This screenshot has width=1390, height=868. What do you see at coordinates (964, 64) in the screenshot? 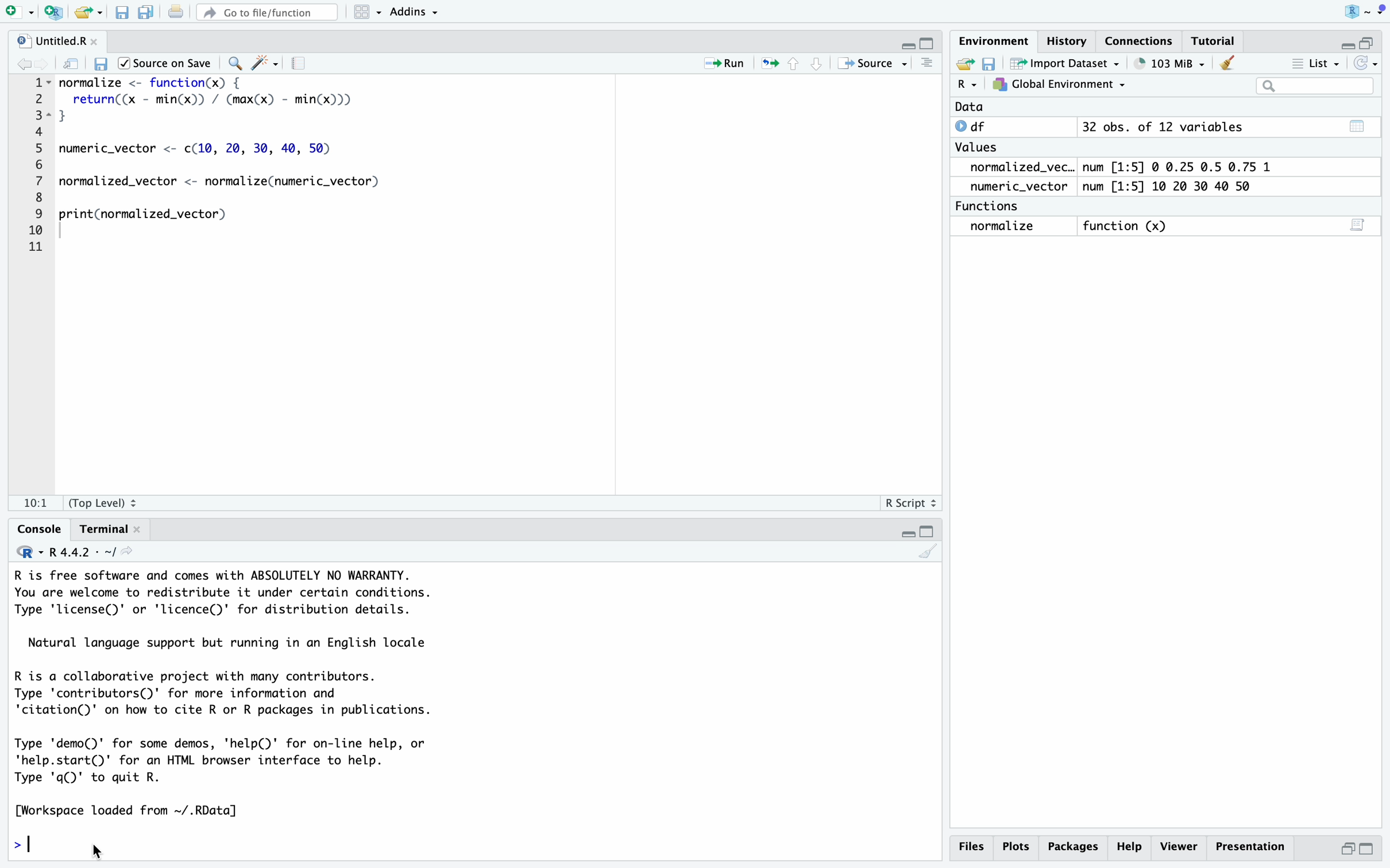
I see `Load workspace` at bounding box center [964, 64].